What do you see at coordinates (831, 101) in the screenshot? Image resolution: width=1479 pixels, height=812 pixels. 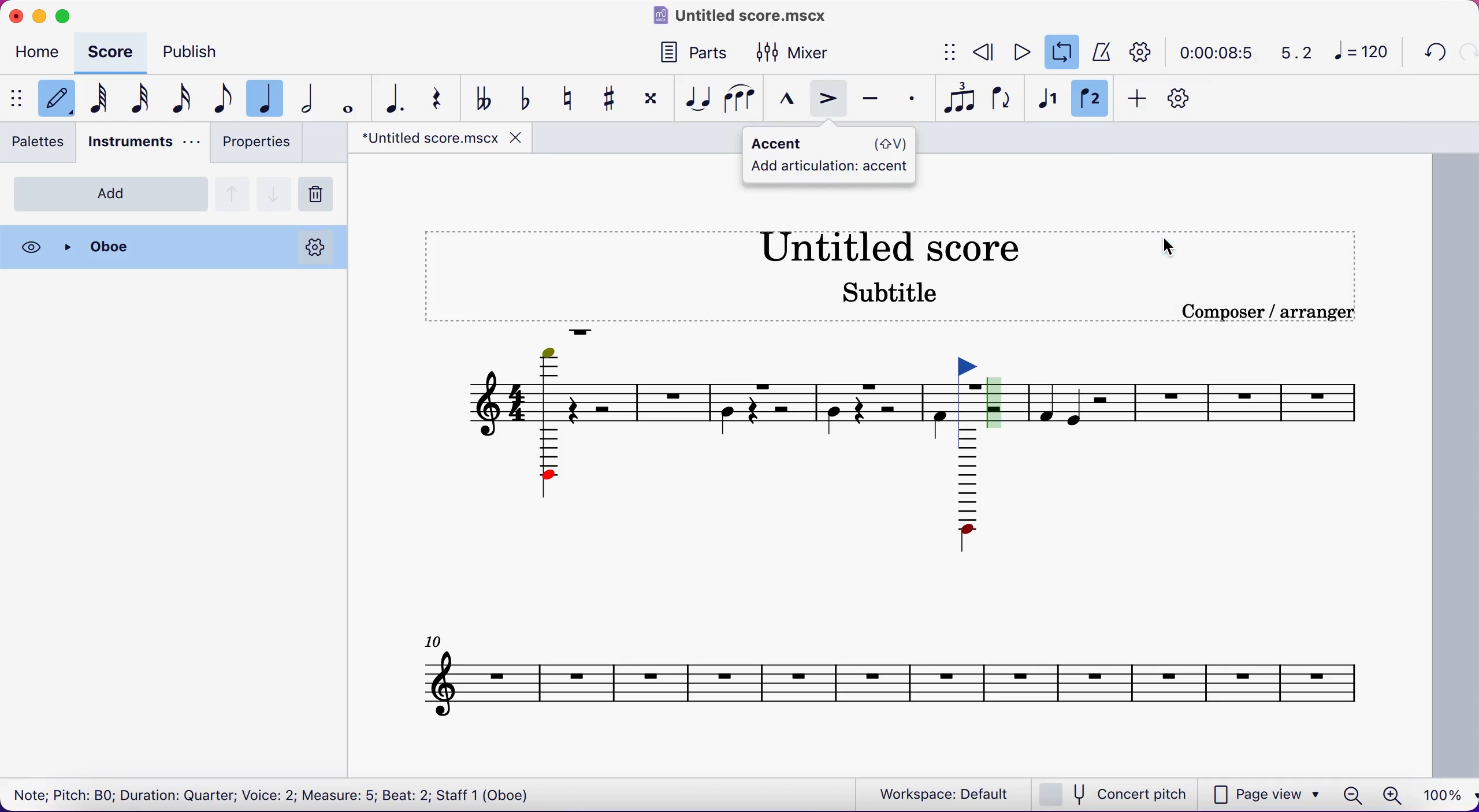 I see `accent` at bounding box center [831, 101].